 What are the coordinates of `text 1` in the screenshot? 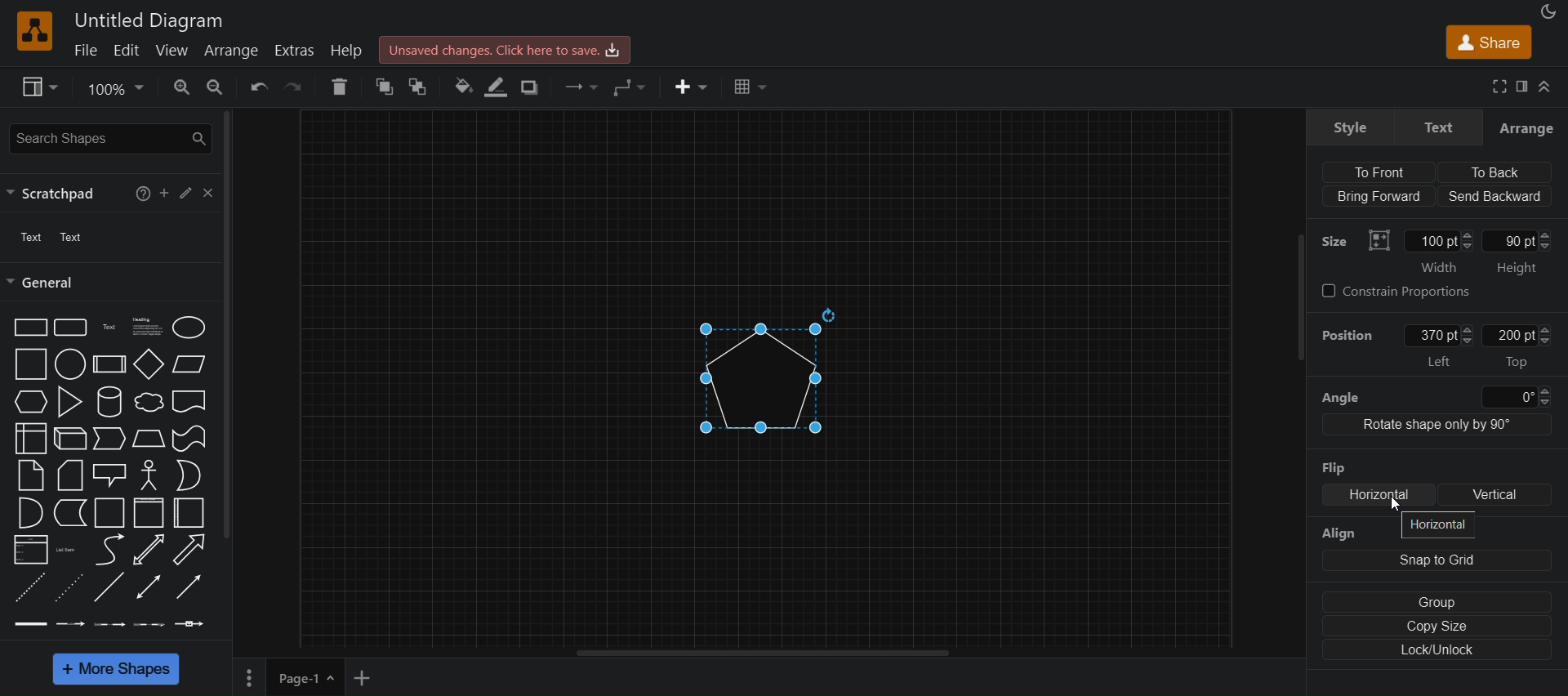 It's located at (33, 237).